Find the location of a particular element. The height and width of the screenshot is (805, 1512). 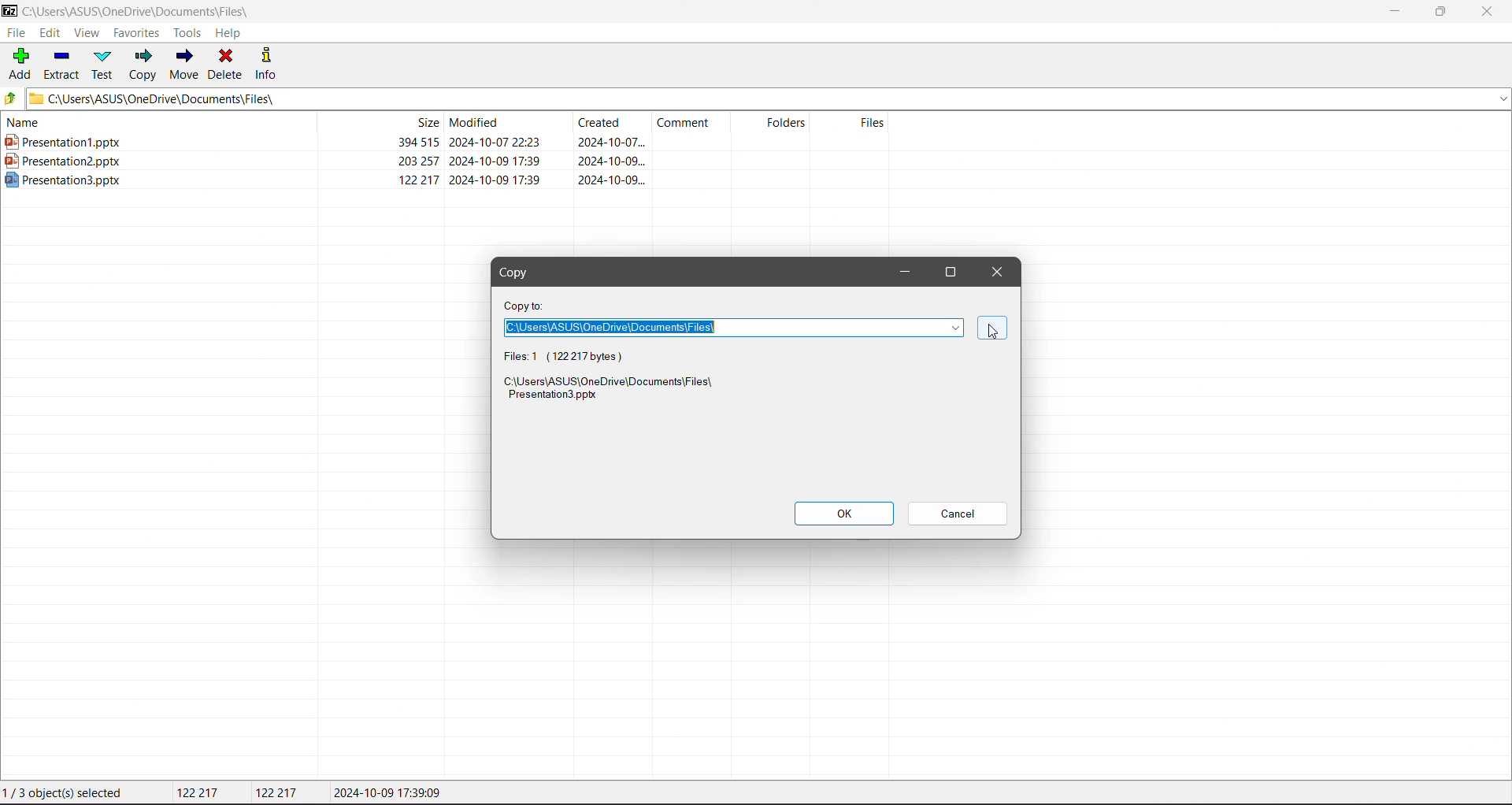

Close is located at coordinates (1492, 12).